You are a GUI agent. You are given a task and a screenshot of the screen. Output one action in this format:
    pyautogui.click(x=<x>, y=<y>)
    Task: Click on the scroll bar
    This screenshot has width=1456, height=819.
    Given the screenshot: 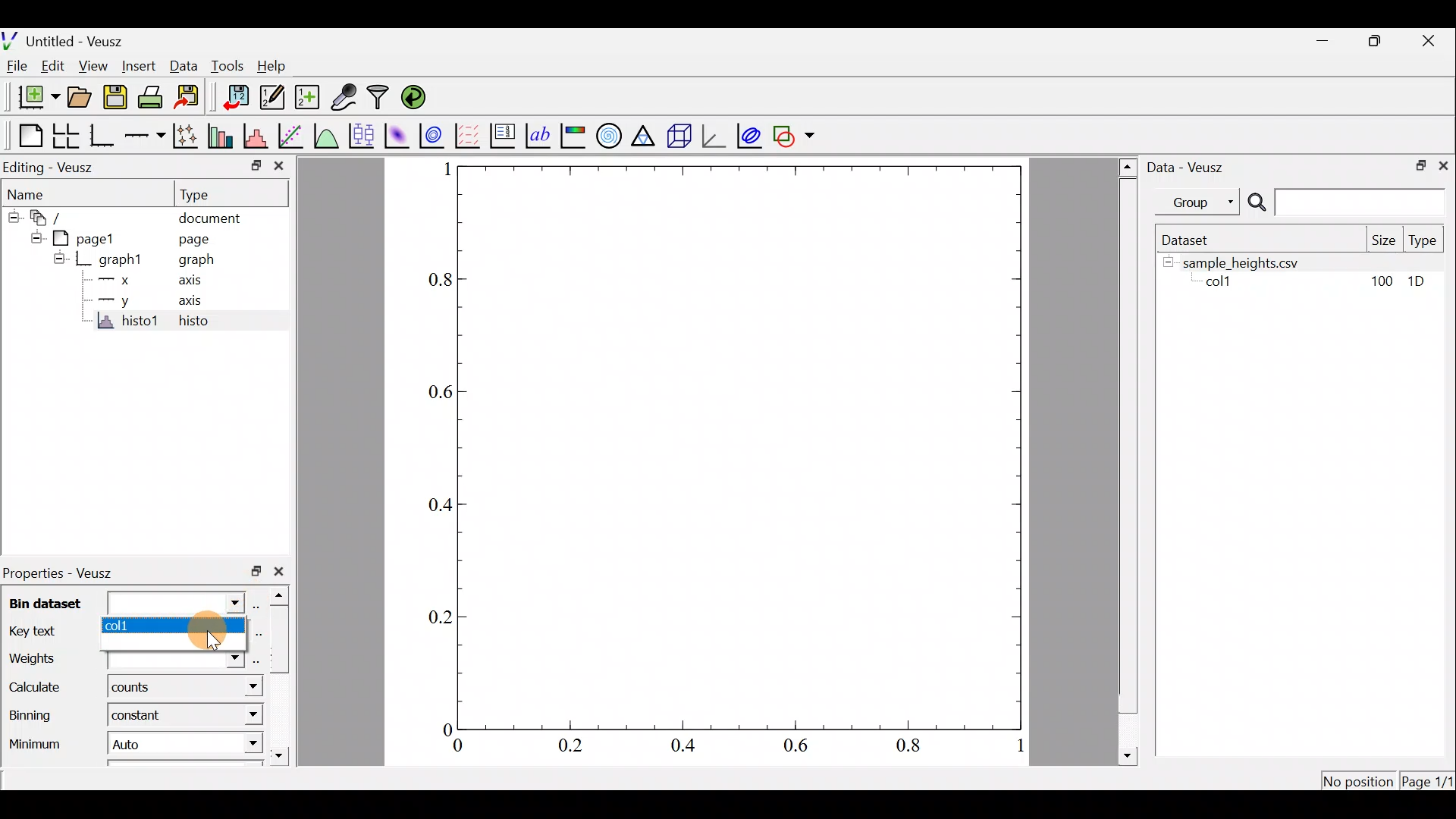 What is the action you would take?
    pyautogui.click(x=281, y=676)
    